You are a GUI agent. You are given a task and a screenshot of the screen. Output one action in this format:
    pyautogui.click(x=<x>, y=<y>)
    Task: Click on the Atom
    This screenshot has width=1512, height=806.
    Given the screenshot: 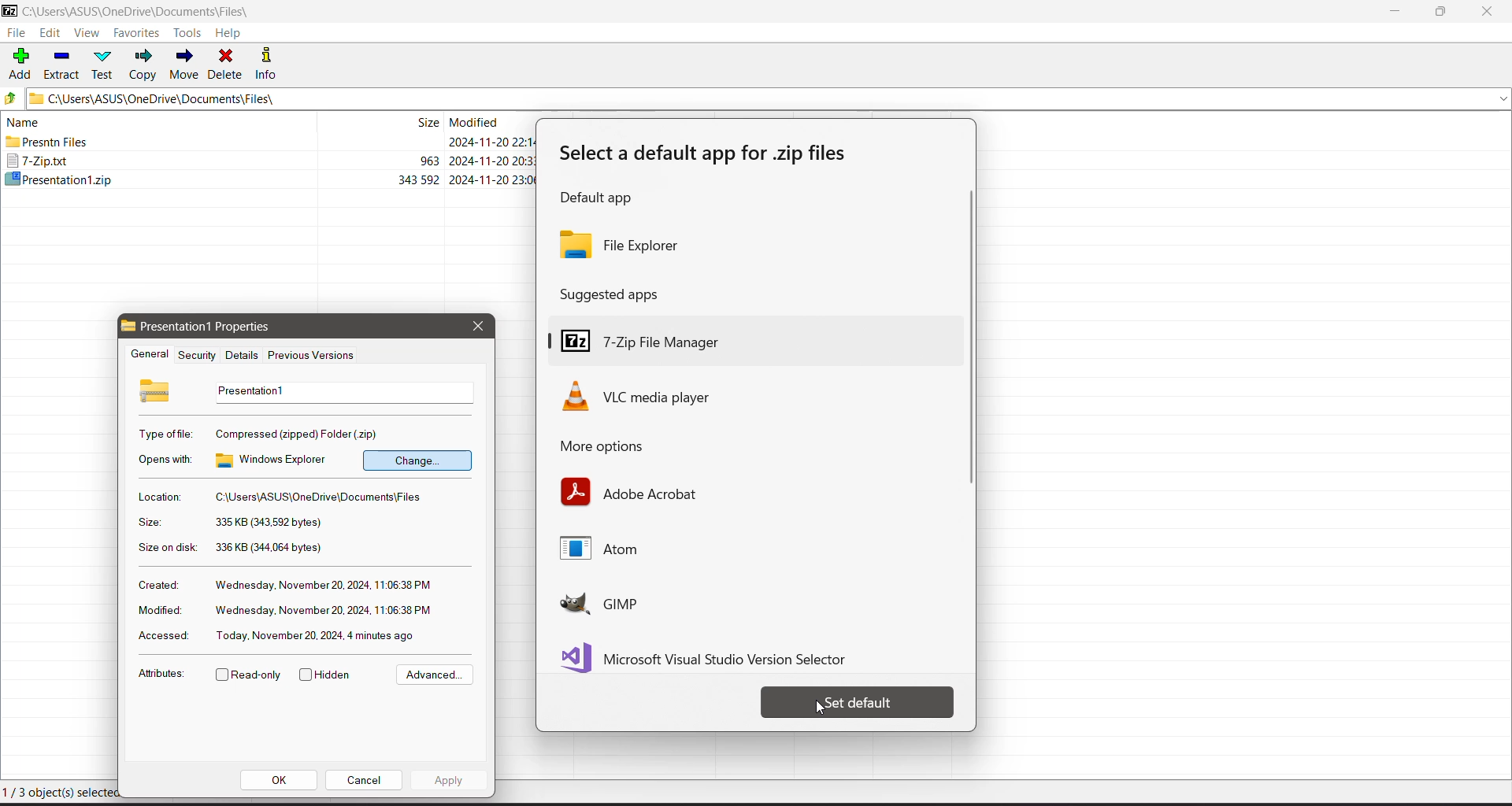 What is the action you would take?
    pyautogui.click(x=613, y=551)
    